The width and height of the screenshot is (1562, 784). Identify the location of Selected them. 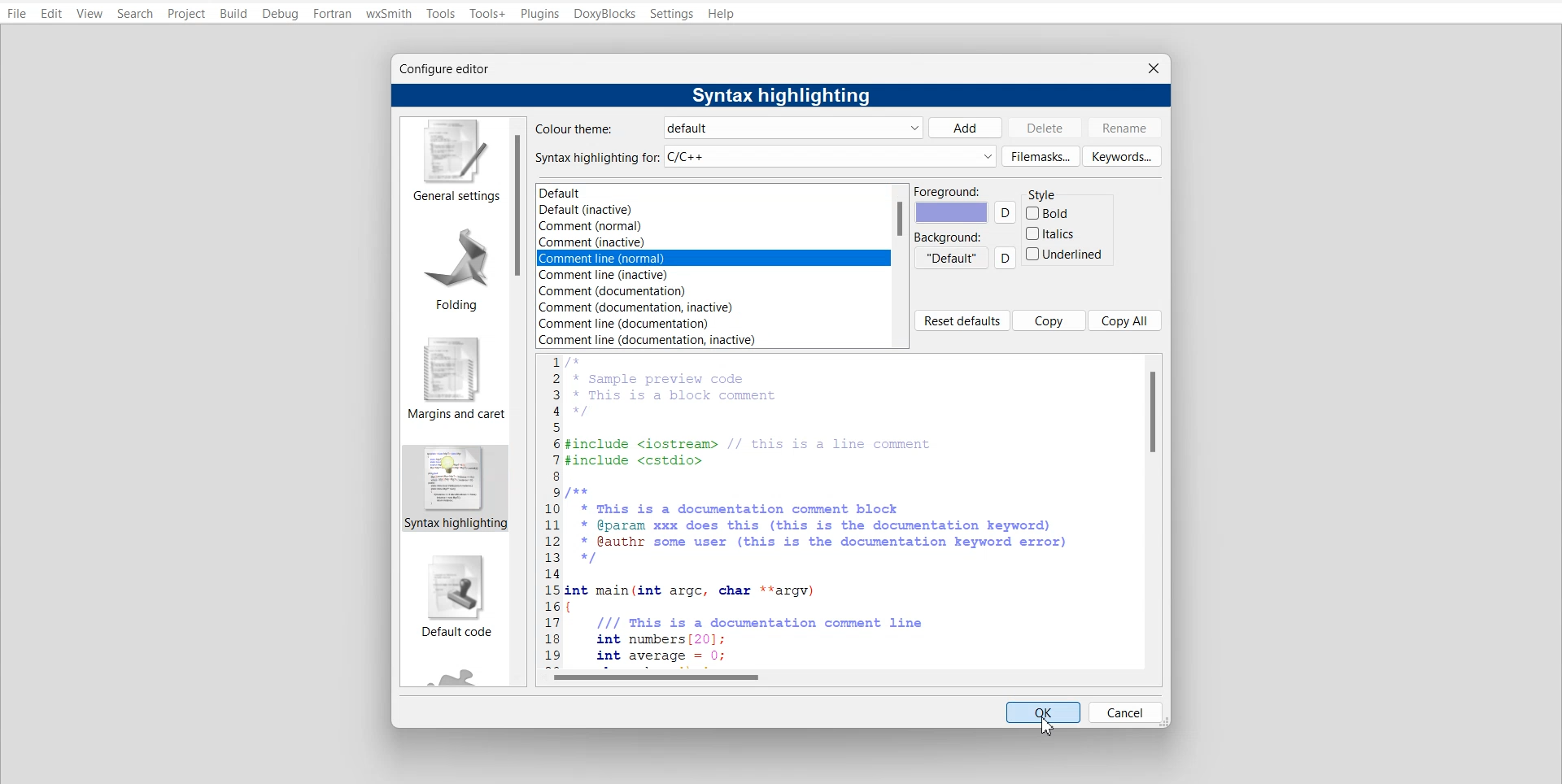
(713, 258).